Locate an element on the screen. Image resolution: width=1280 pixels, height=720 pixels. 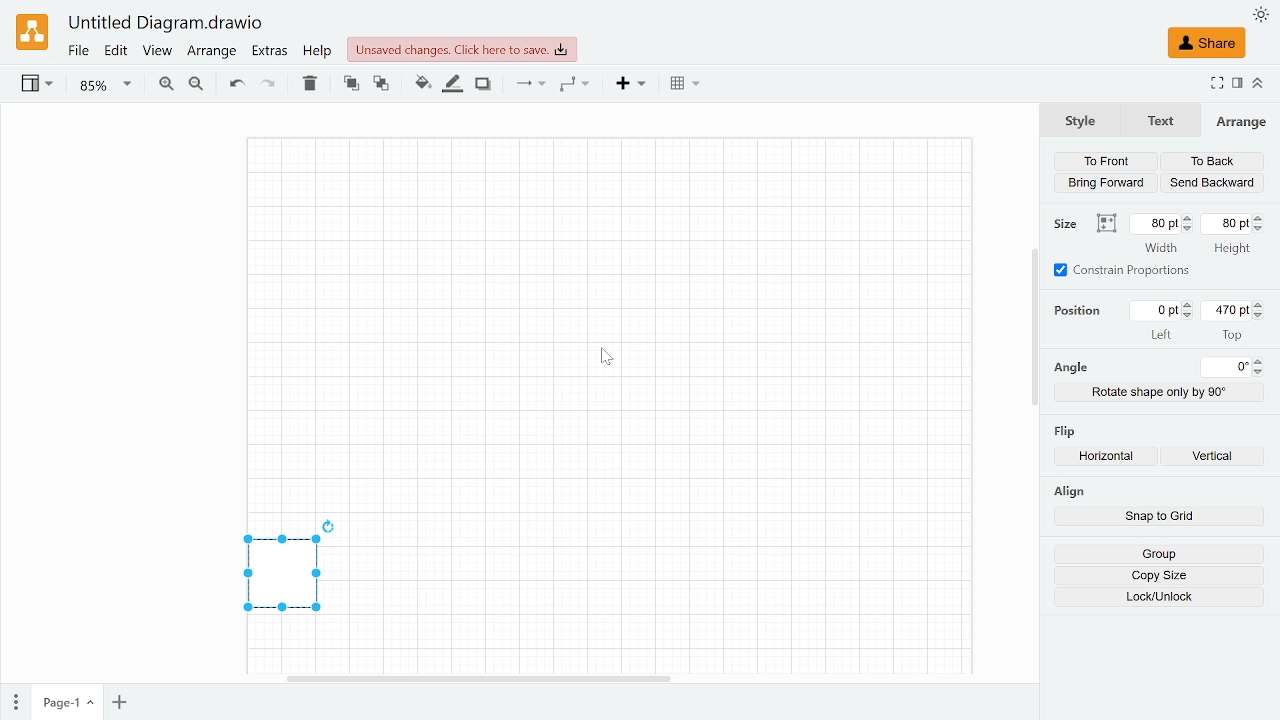
Current height is located at coordinates (1228, 223).